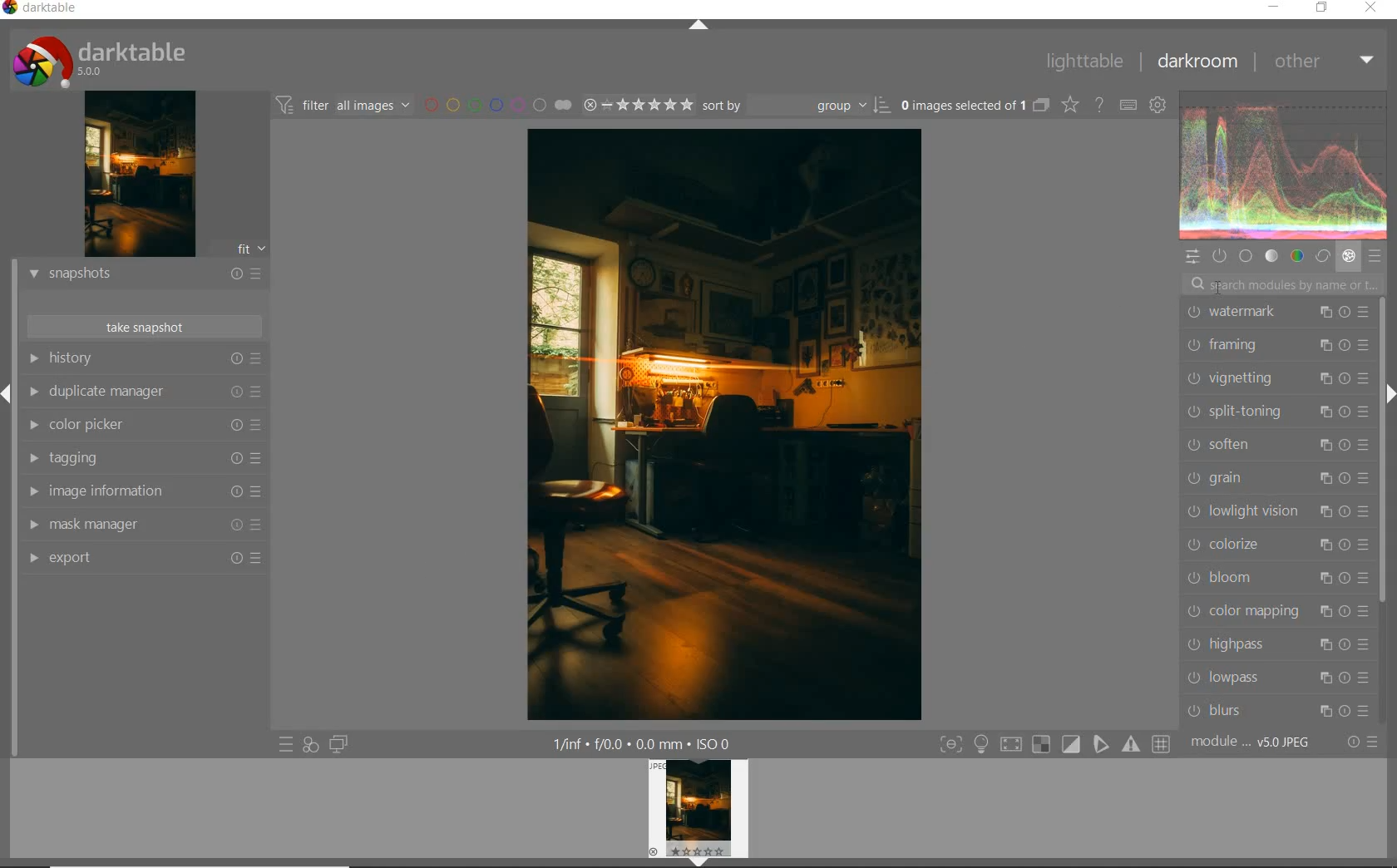 The width and height of the screenshot is (1397, 868). What do you see at coordinates (1378, 256) in the screenshot?
I see `presets` at bounding box center [1378, 256].